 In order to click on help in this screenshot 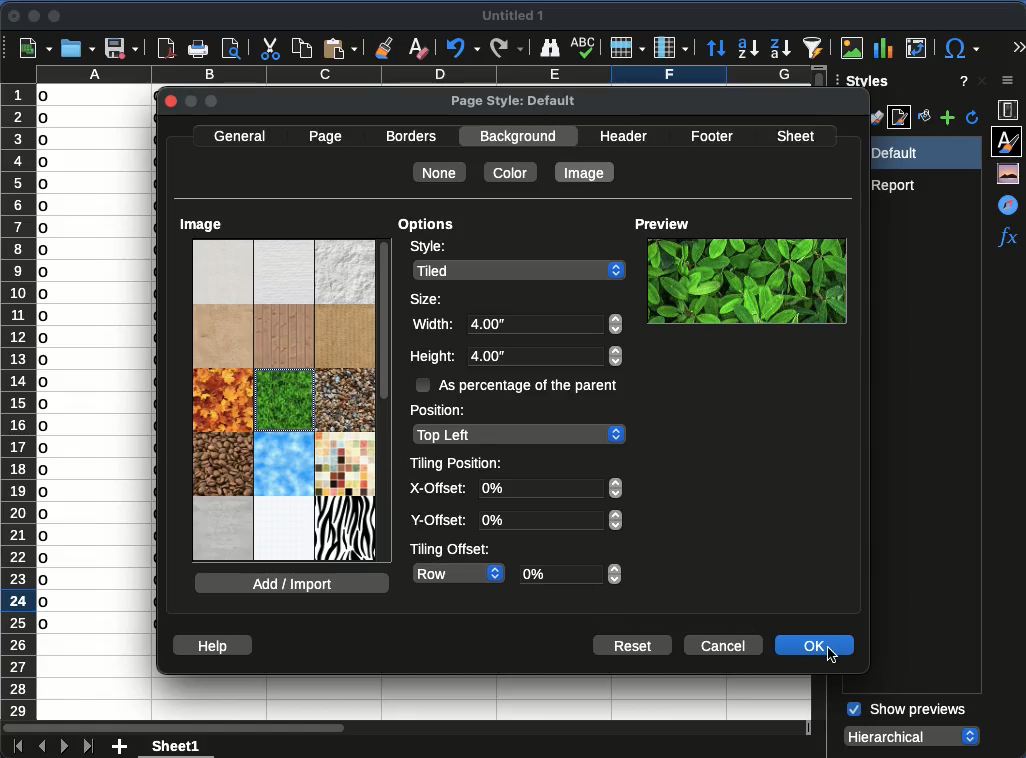, I will do `click(210, 644)`.